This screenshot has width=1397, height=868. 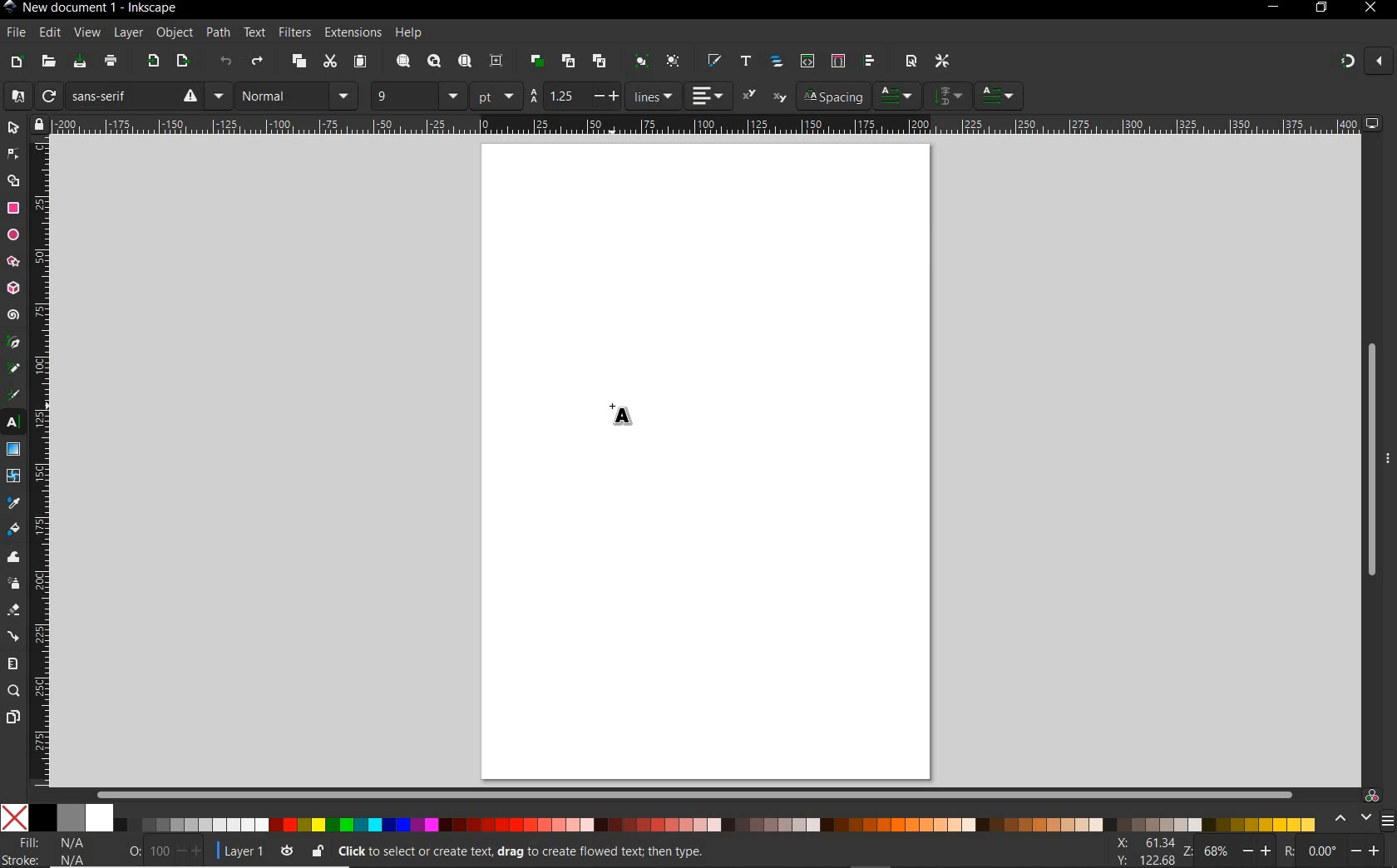 I want to click on scrollbar, so click(x=696, y=794).